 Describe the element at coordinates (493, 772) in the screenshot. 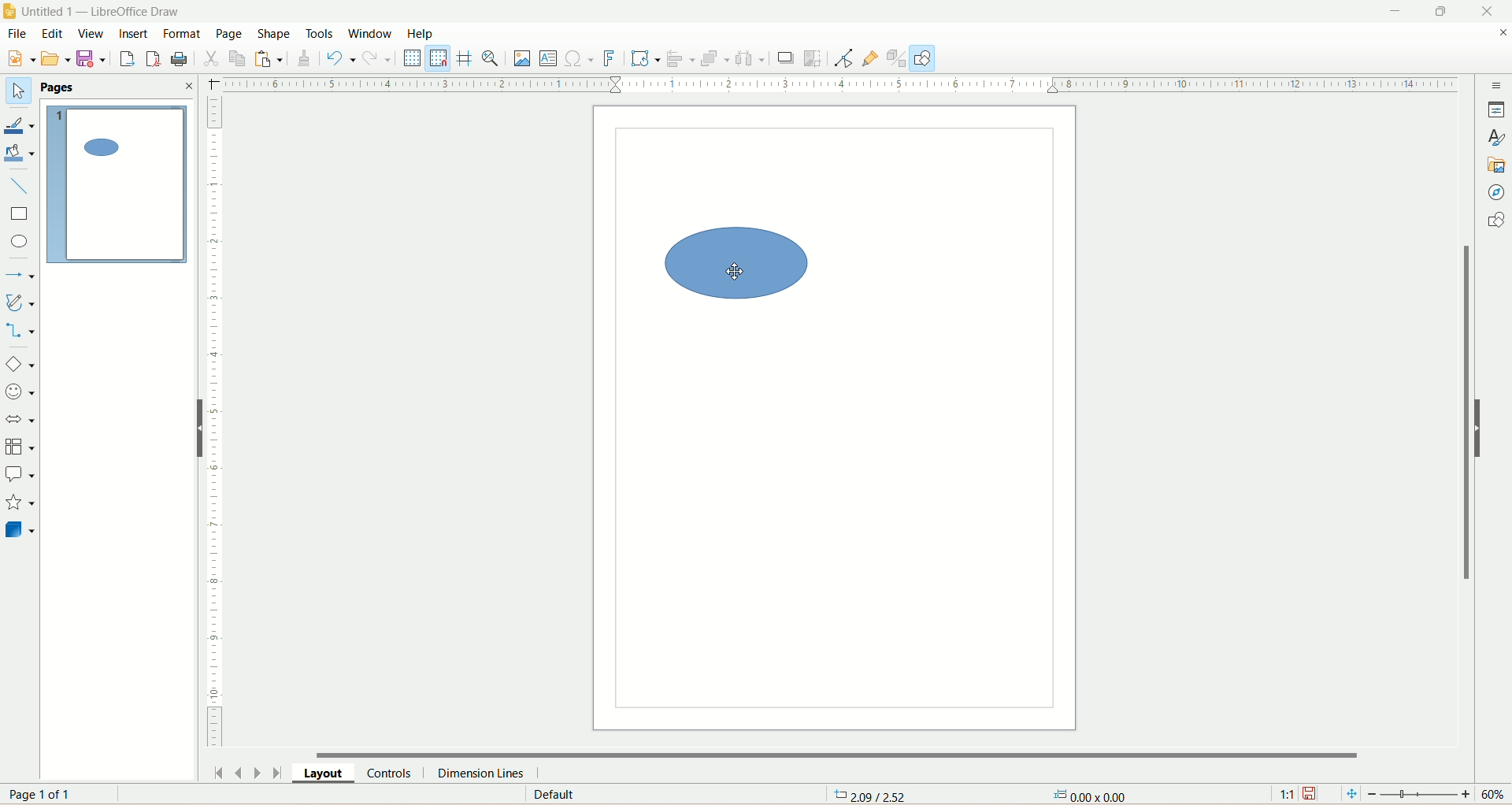

I see `dimension lines` at that location.